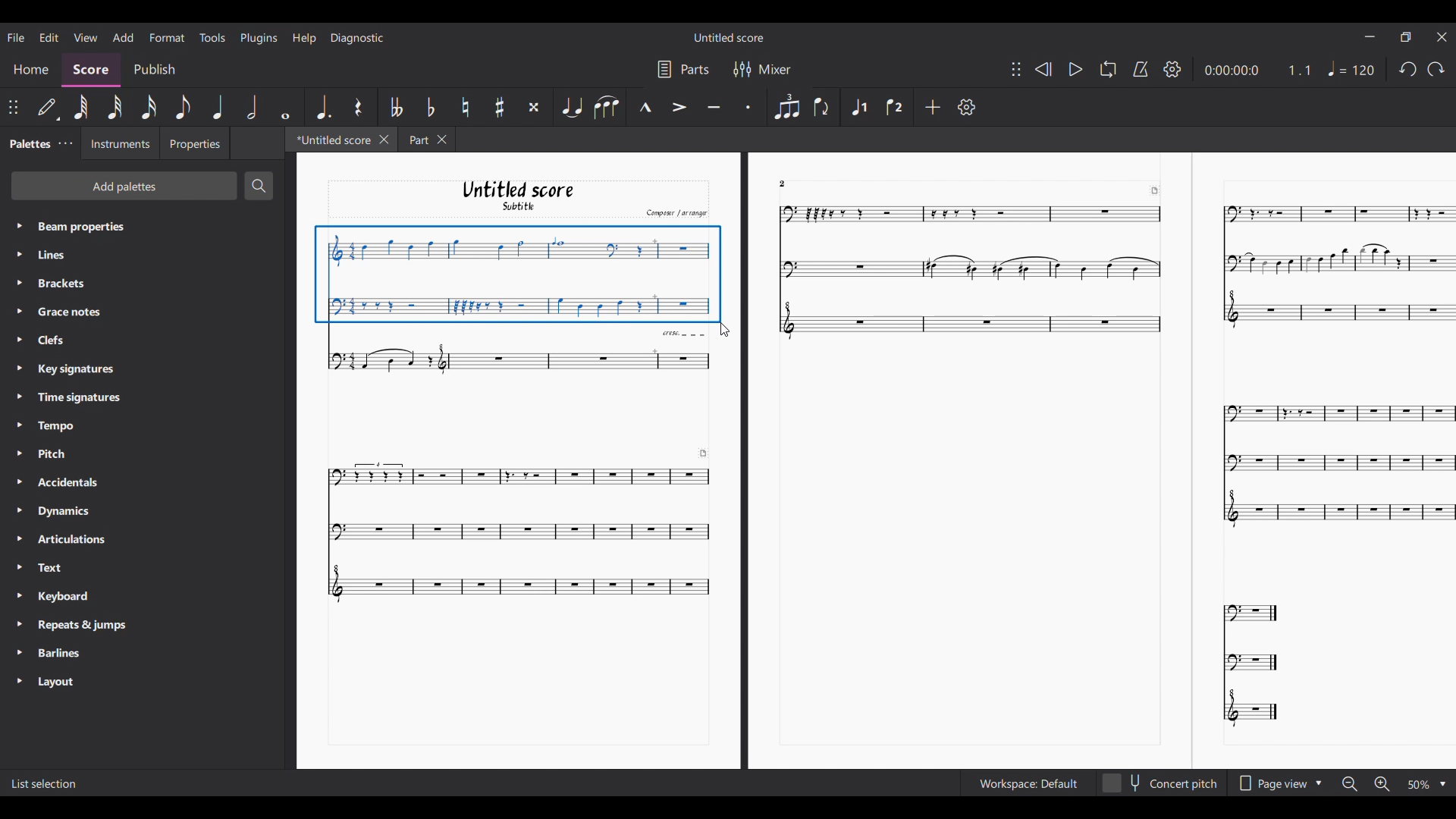 This screenshot has width=1456, height=819. What do you see at coordinates (416, 139) in the screenshot?
I see `Part` at bounding box center [416, 139].